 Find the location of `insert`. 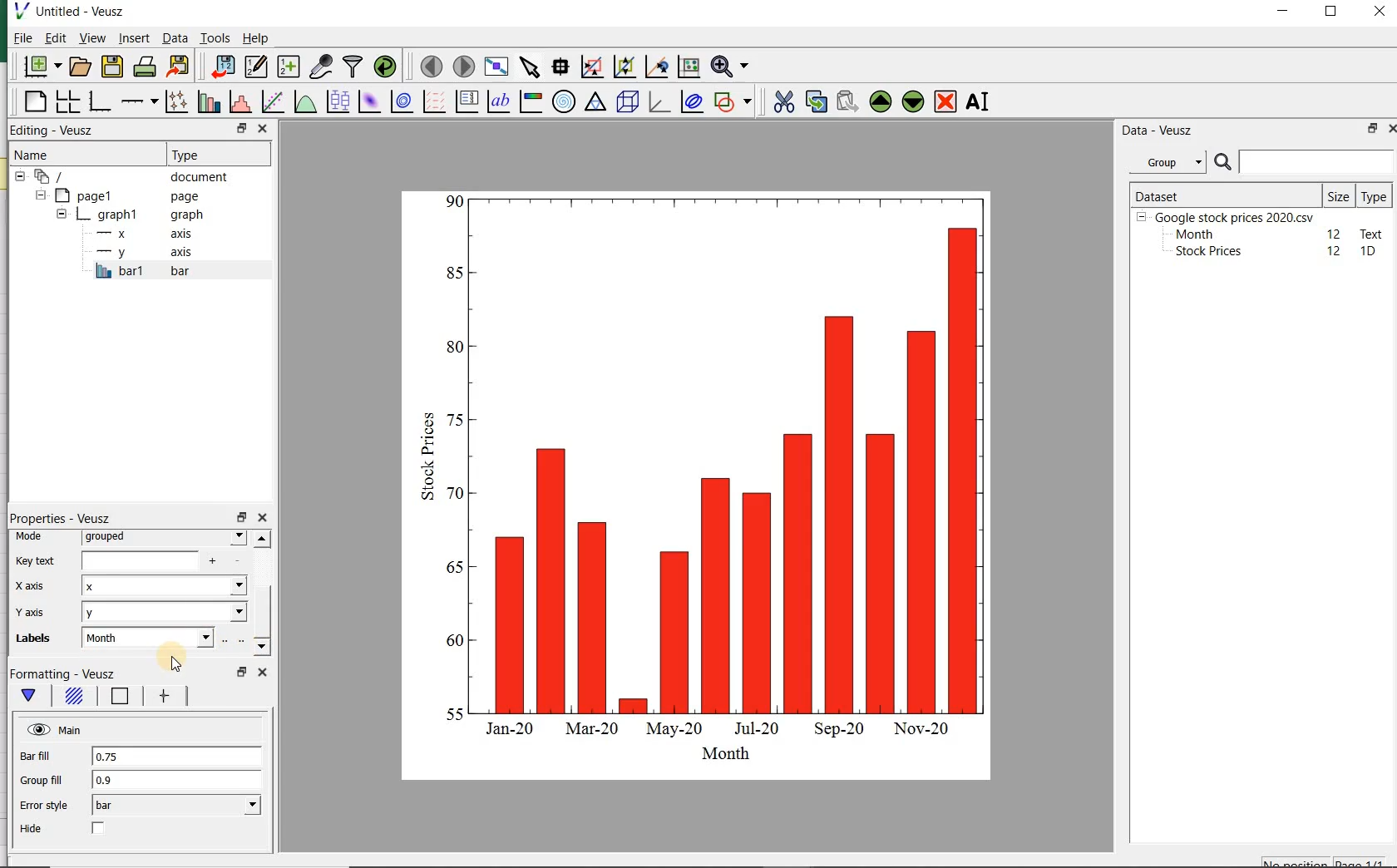

insert is located at coordinates (134, 39).